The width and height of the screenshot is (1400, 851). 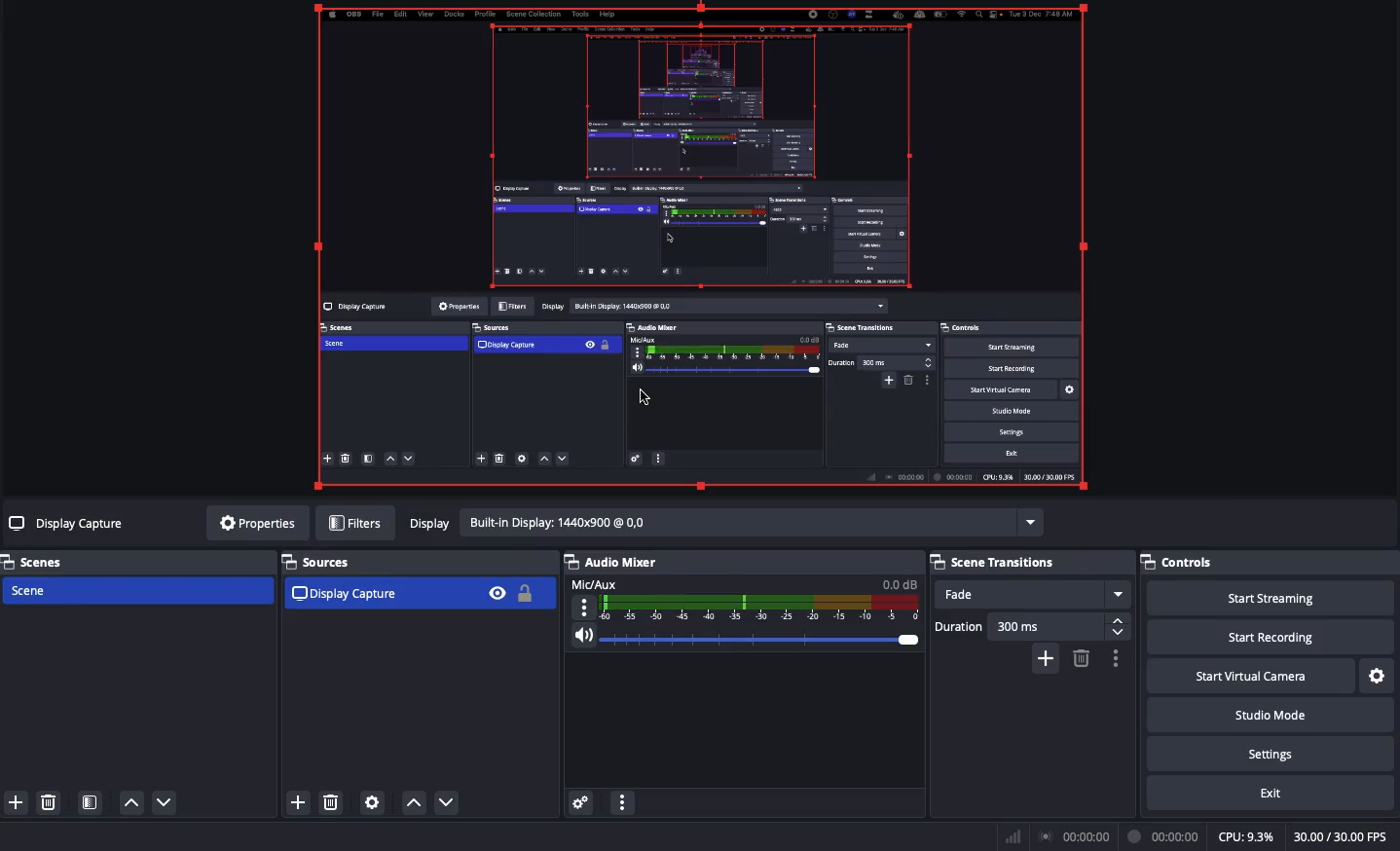 I want to click on Sources, so click(x=325, y=561).